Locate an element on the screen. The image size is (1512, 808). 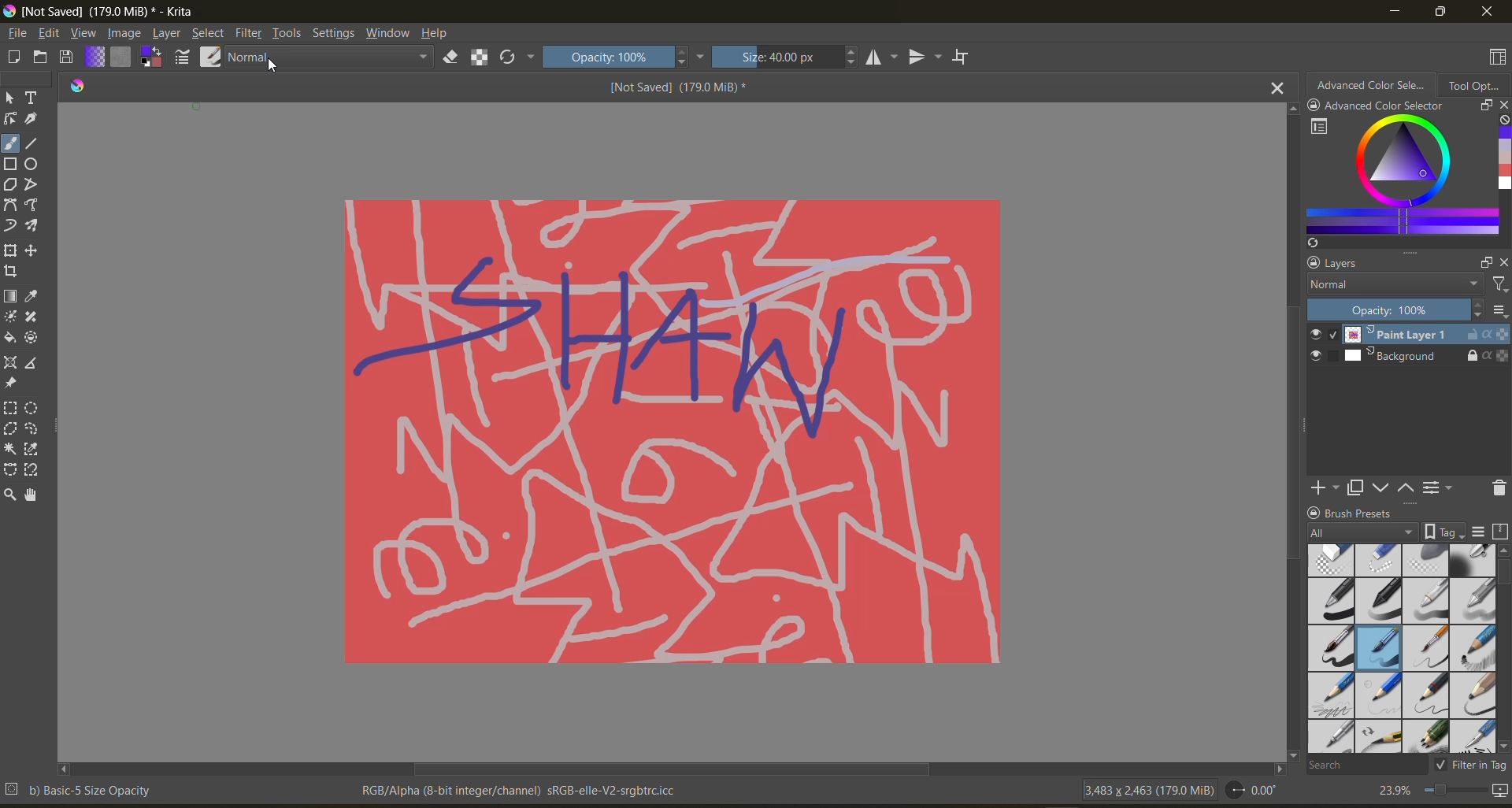
Reference image tool is located at coordinates (12, 384).